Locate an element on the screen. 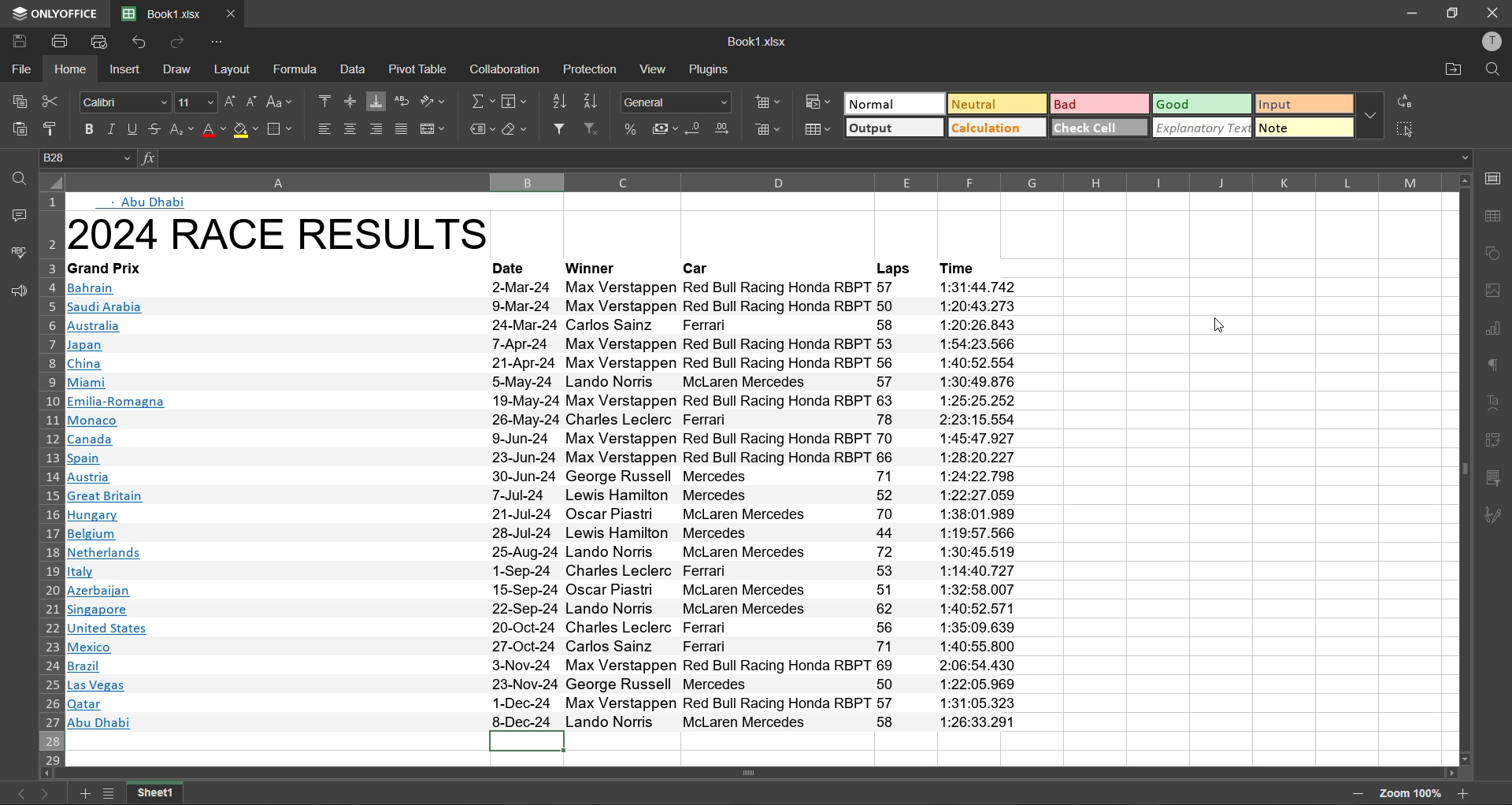  slicer is located at coordinates (1498, 480).